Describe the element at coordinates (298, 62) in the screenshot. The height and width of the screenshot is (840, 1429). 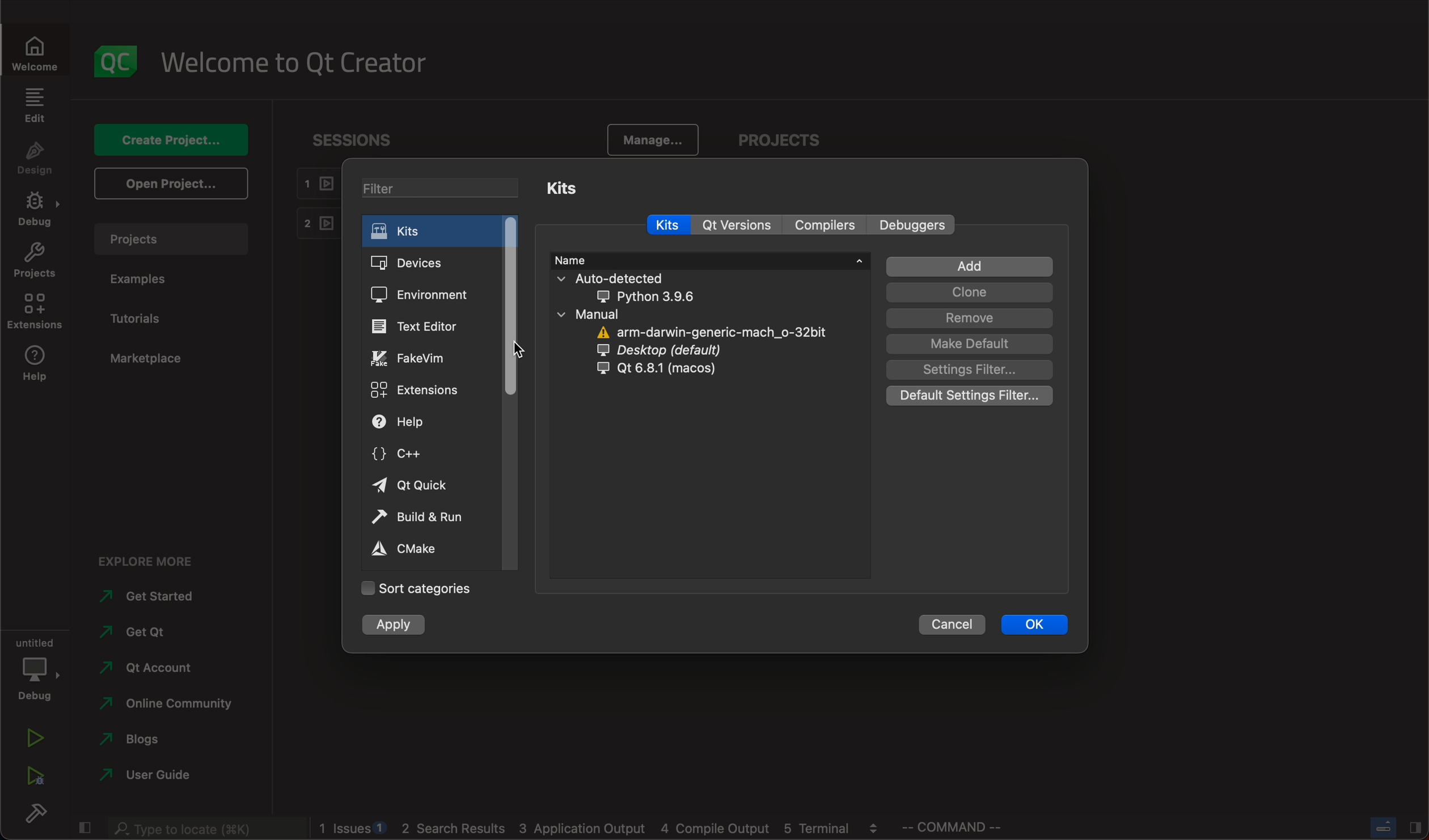
I see `welcome` at that location.